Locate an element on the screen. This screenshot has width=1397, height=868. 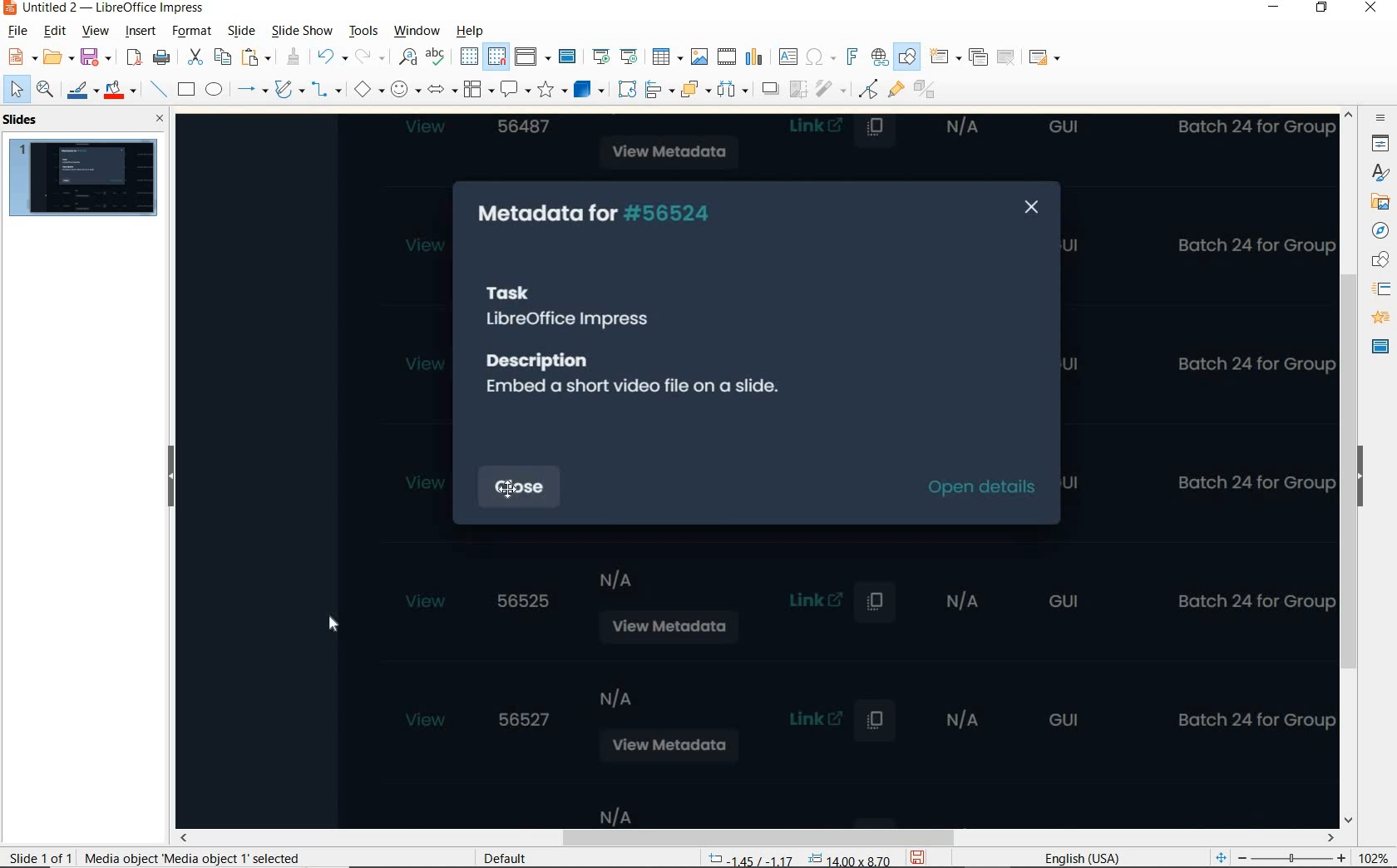
RECTANGLE is located at coordinates (186, 89).